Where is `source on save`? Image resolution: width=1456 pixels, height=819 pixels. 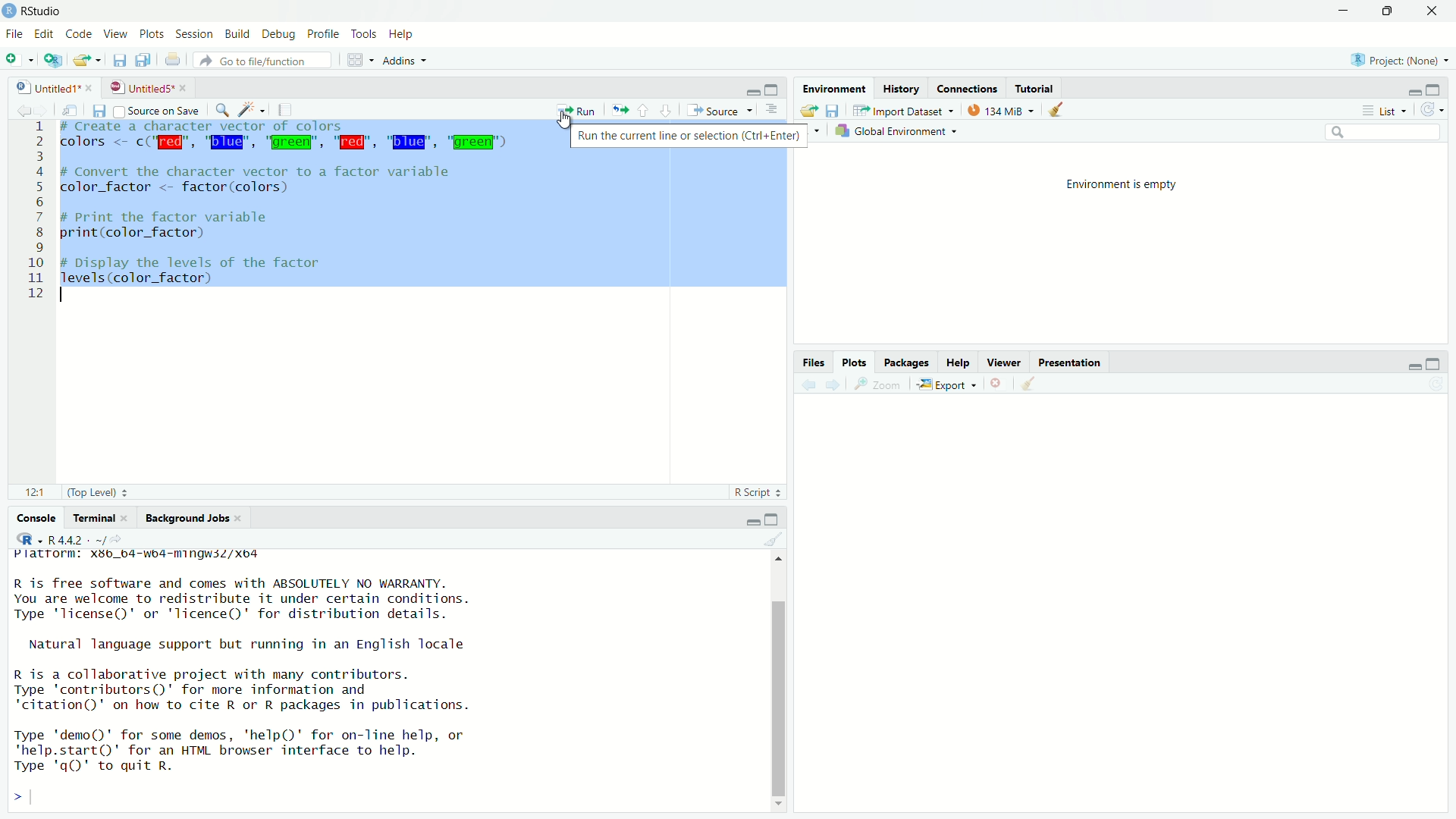 source on save is located at coordinates (160, 110).